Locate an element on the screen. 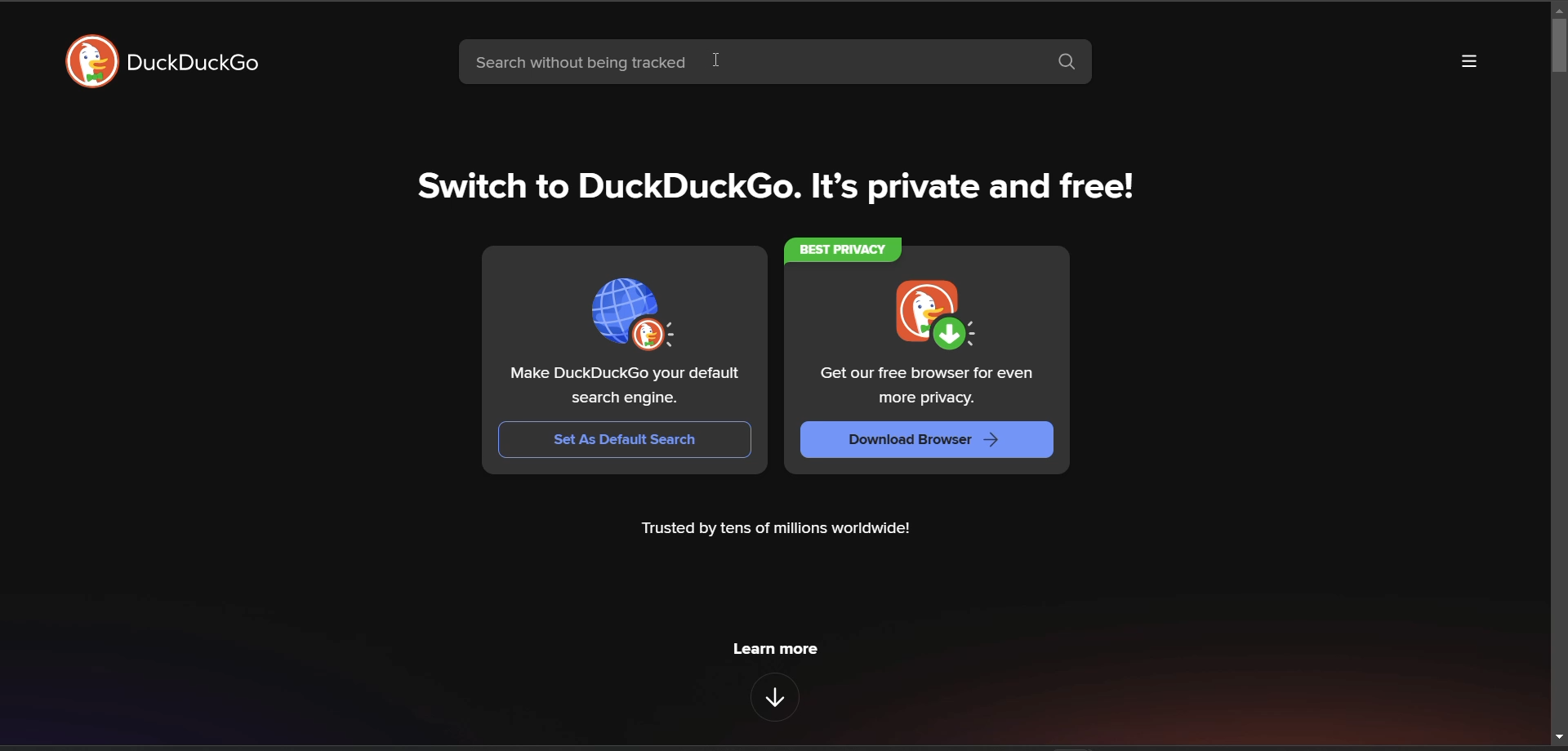 The height and width of the screenshot is (751, 1568). Browser logo is located at coordinates (91, 61).